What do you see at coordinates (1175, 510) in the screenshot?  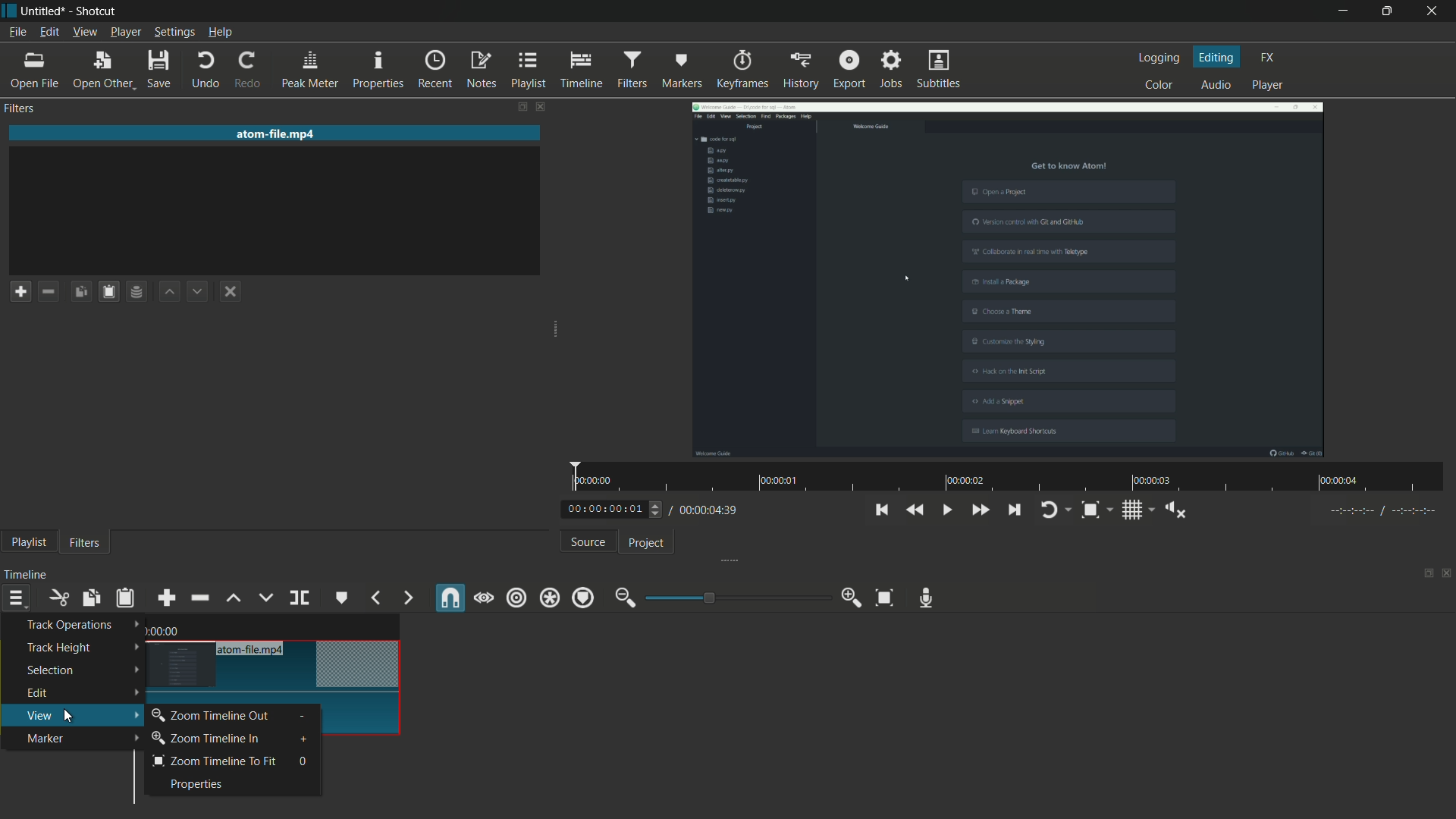 I see `show volume control` at bounding box center [1175, 510].